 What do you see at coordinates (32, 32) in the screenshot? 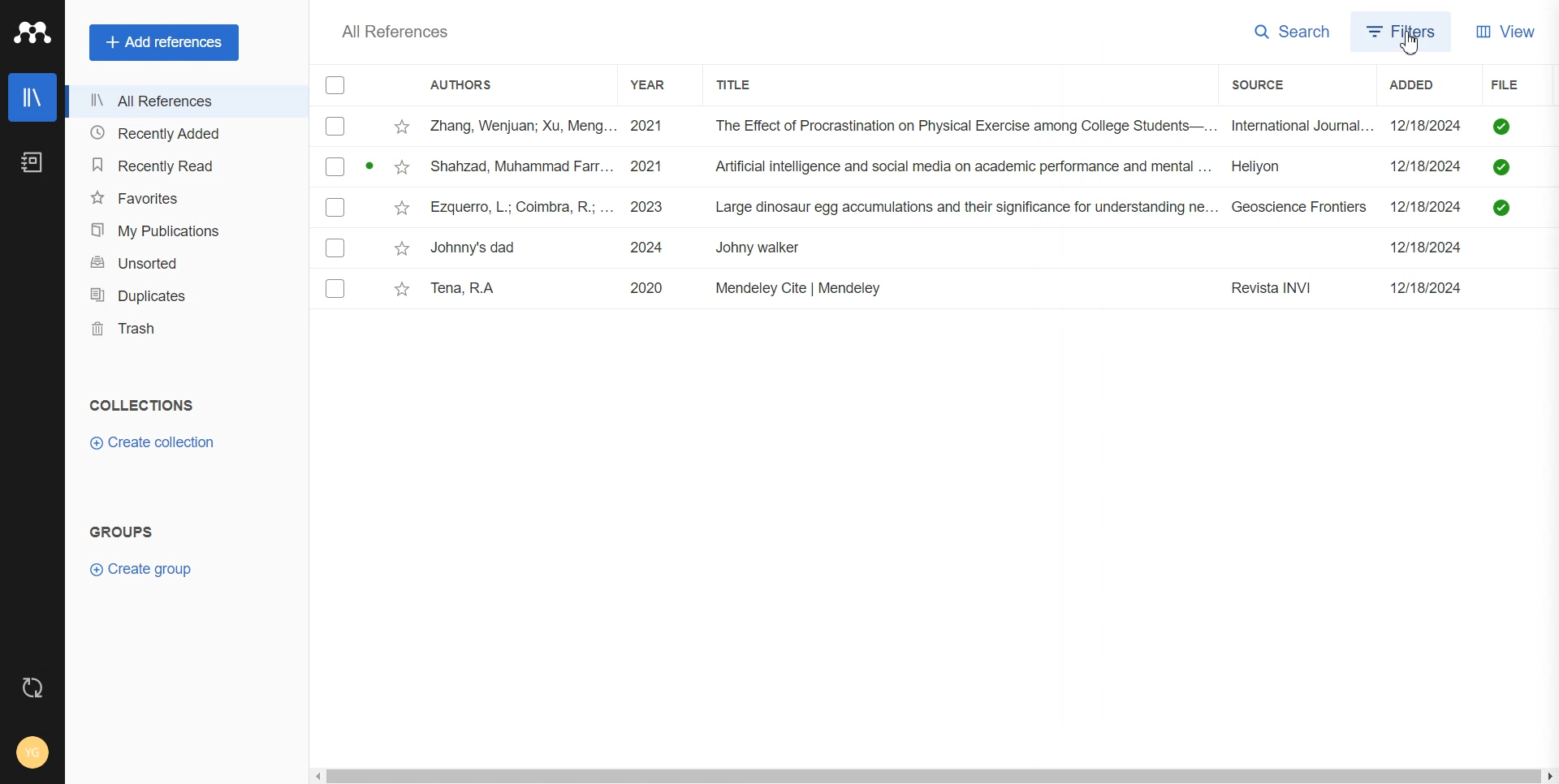
I see `Logo` at bounding box center [32, 32].